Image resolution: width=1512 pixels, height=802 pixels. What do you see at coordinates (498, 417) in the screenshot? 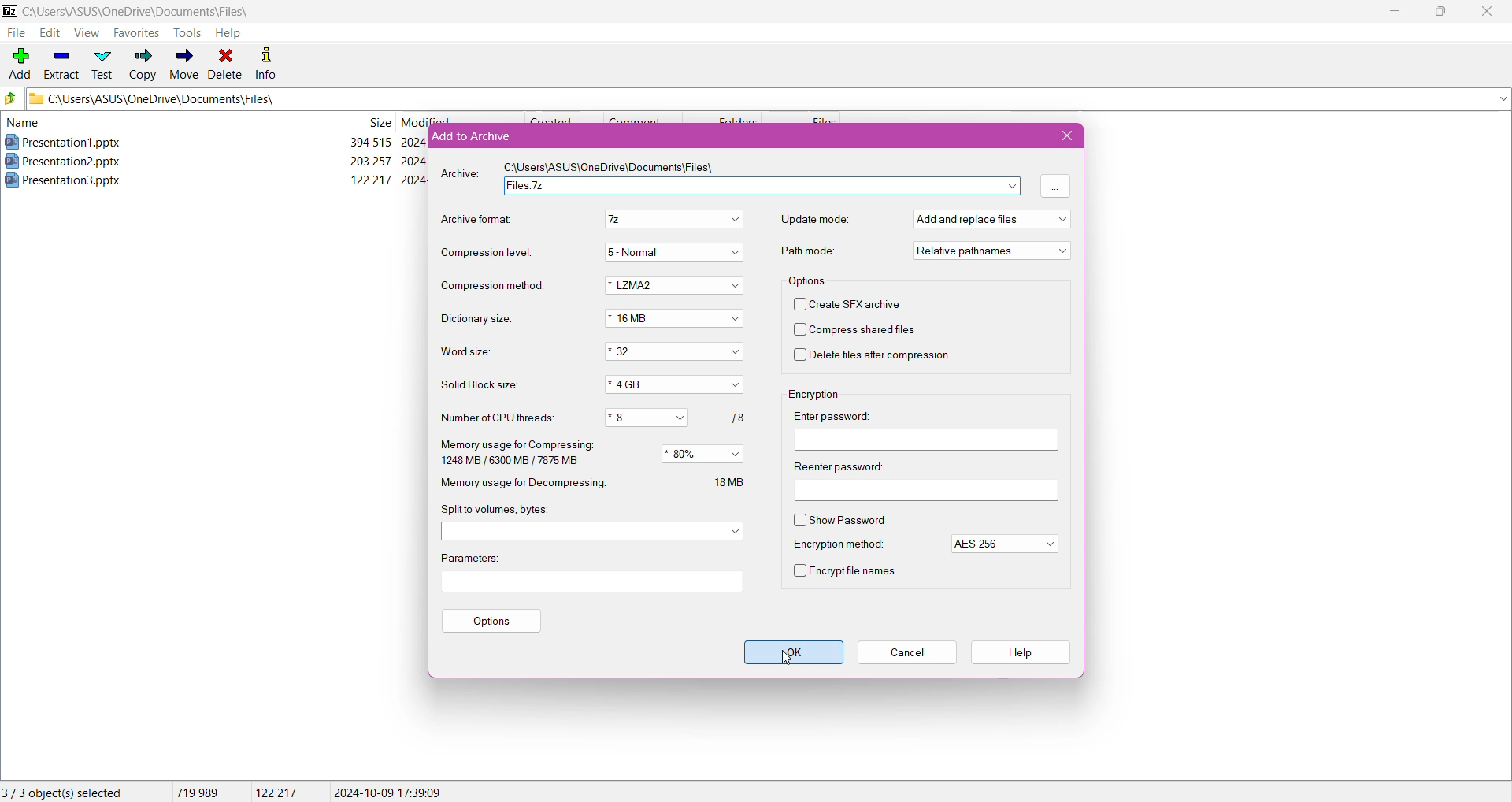
I see `Number of CPU threads` at bounding box center [498, 417].